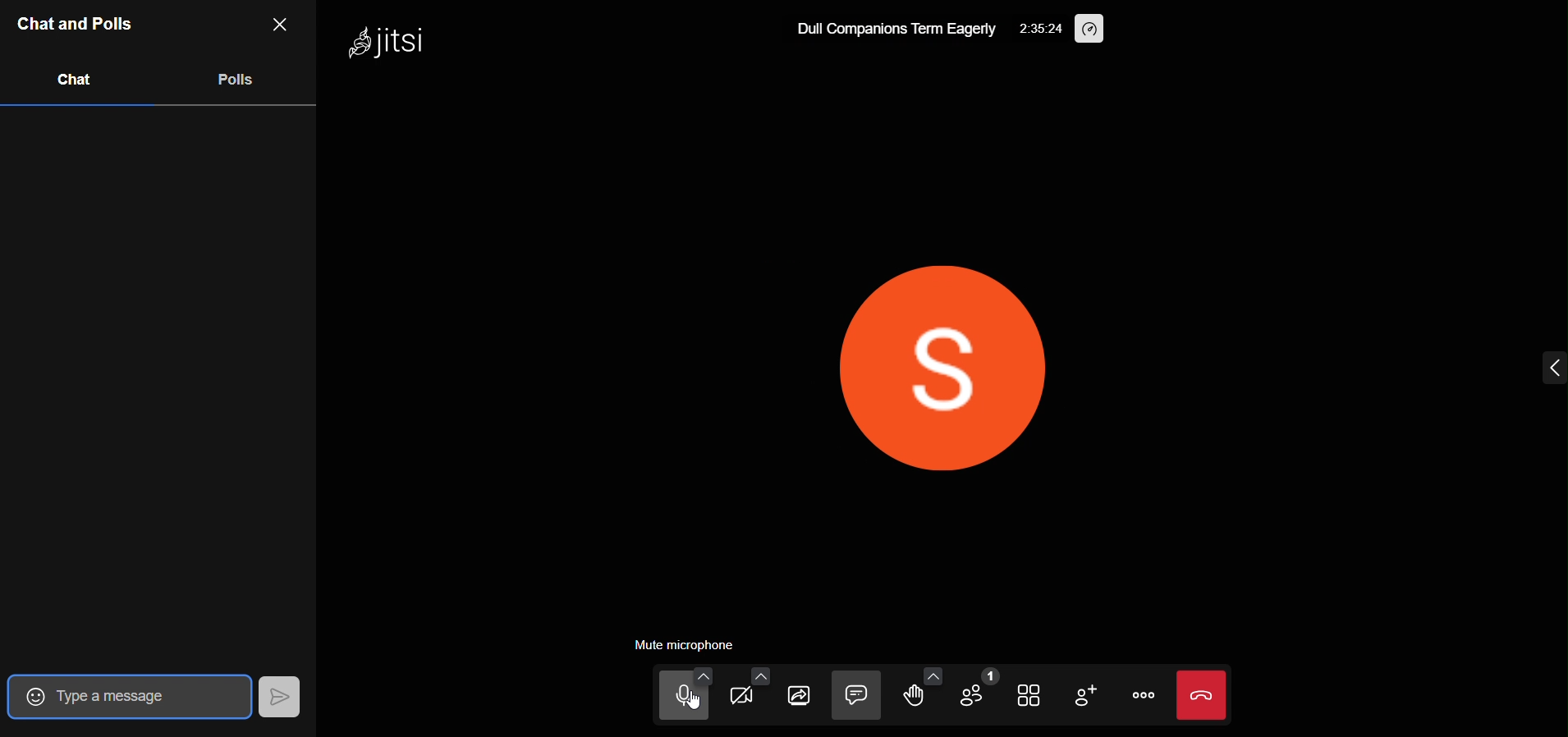  Describe the element at coordinates (803, 699) in the screenshot. I see `screen share` at that location.